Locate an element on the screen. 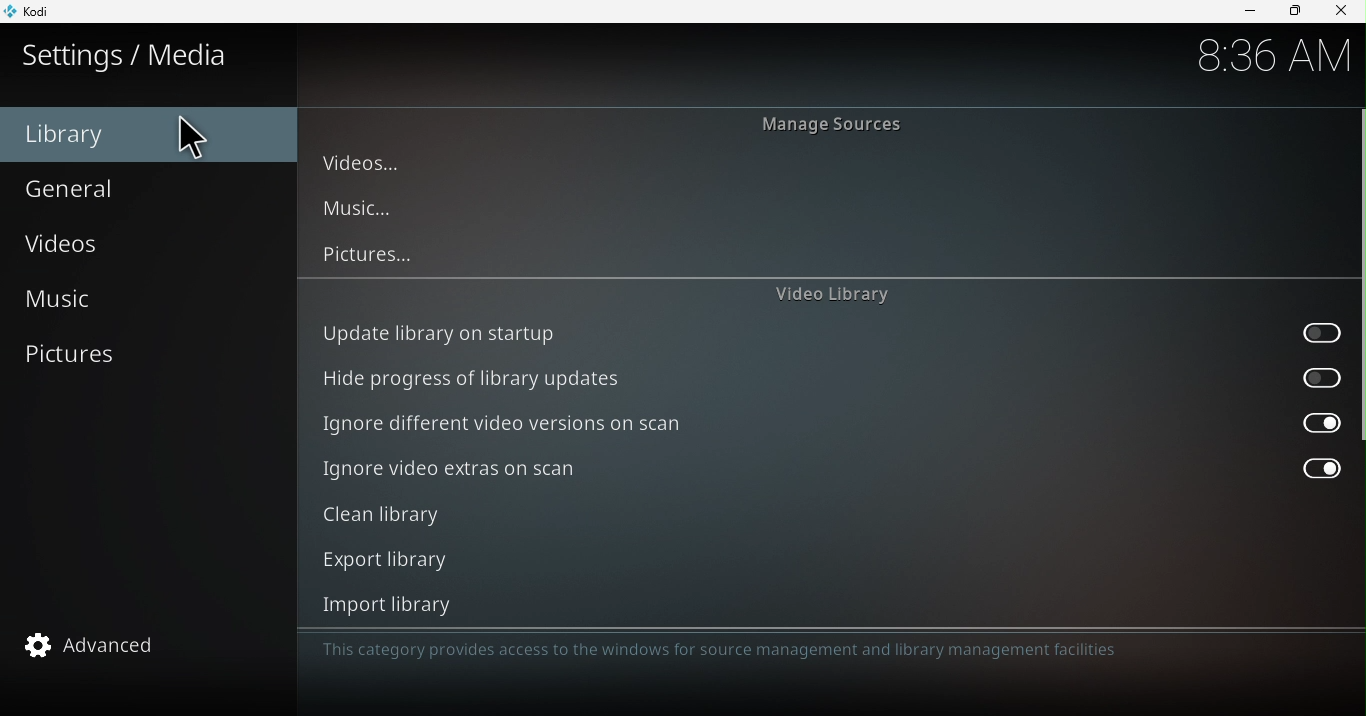 This screenshot has height=716, width=1366. scroll bar is located at coordinates (1358, 367).